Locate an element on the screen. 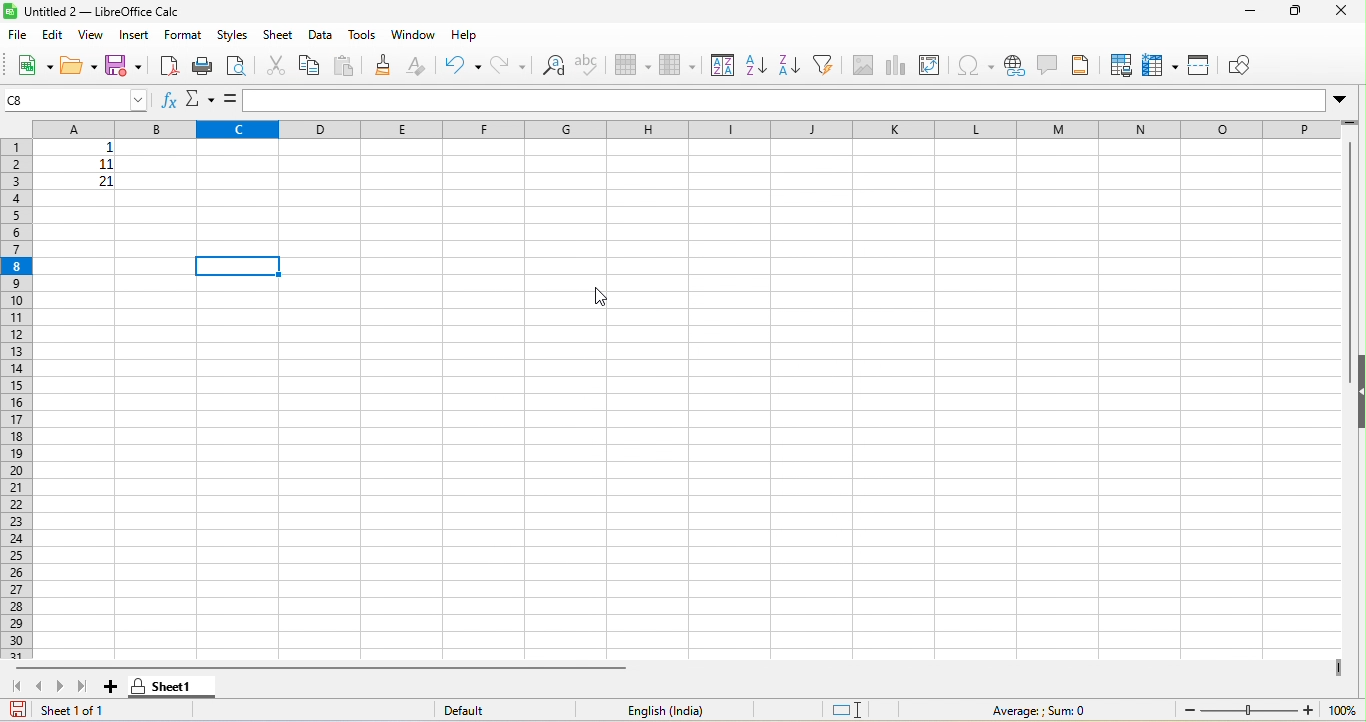 The width and height of the screenshot is (1366, 722). styles is located at coordinates (233, 35).